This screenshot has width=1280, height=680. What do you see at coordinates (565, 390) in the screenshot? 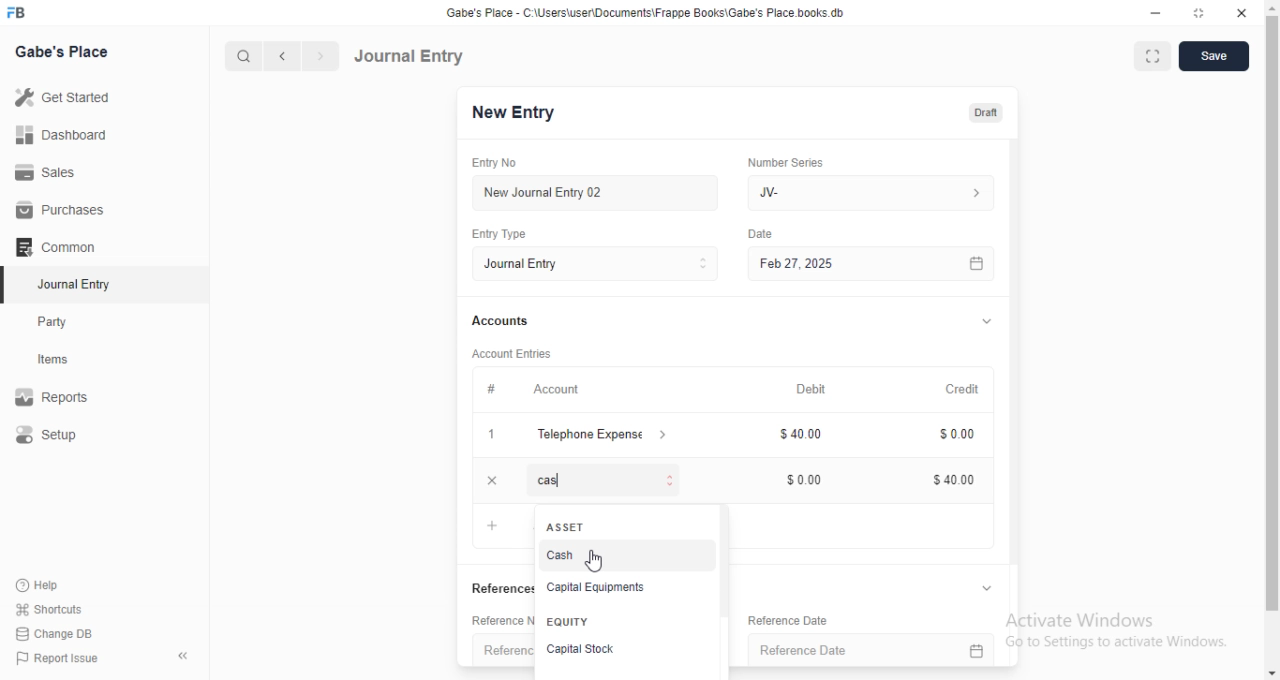
I see `Account` at bounding box center [565, 390].